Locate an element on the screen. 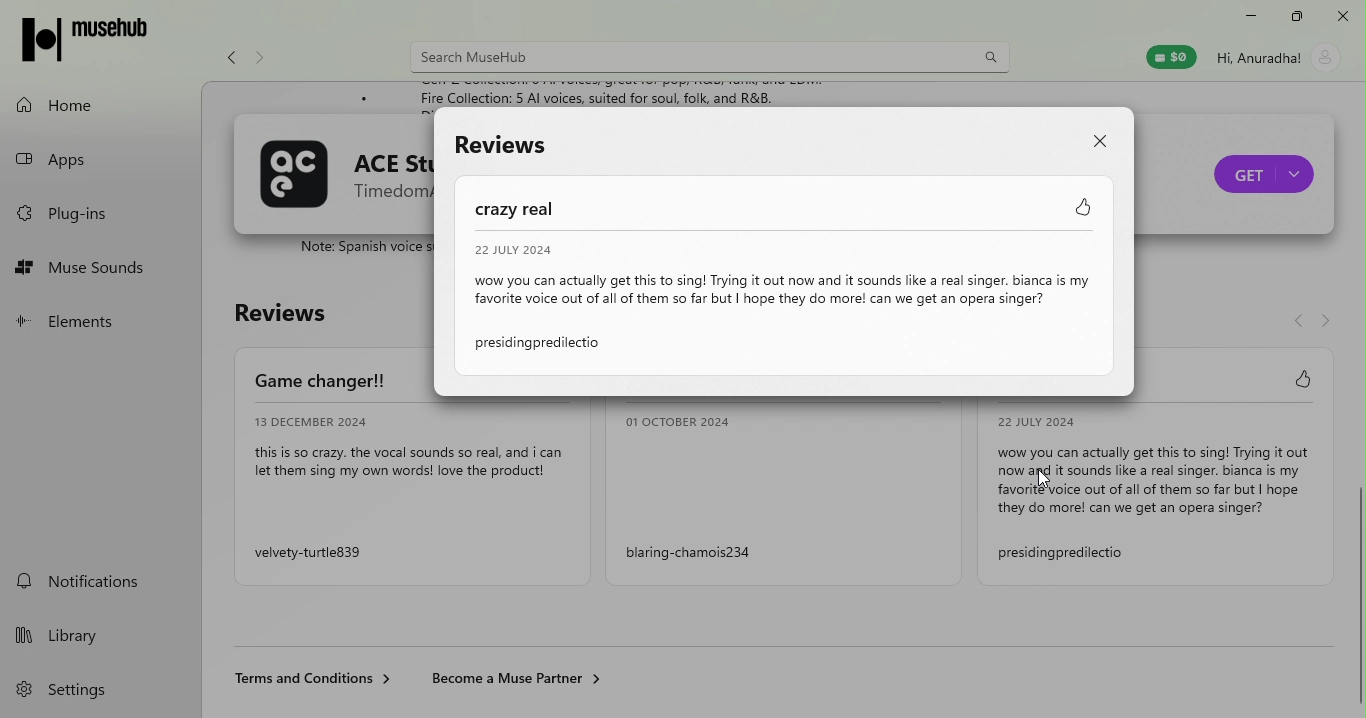 This screenshot has width=1366, height=718. account is located at coordinates (1281, 63).